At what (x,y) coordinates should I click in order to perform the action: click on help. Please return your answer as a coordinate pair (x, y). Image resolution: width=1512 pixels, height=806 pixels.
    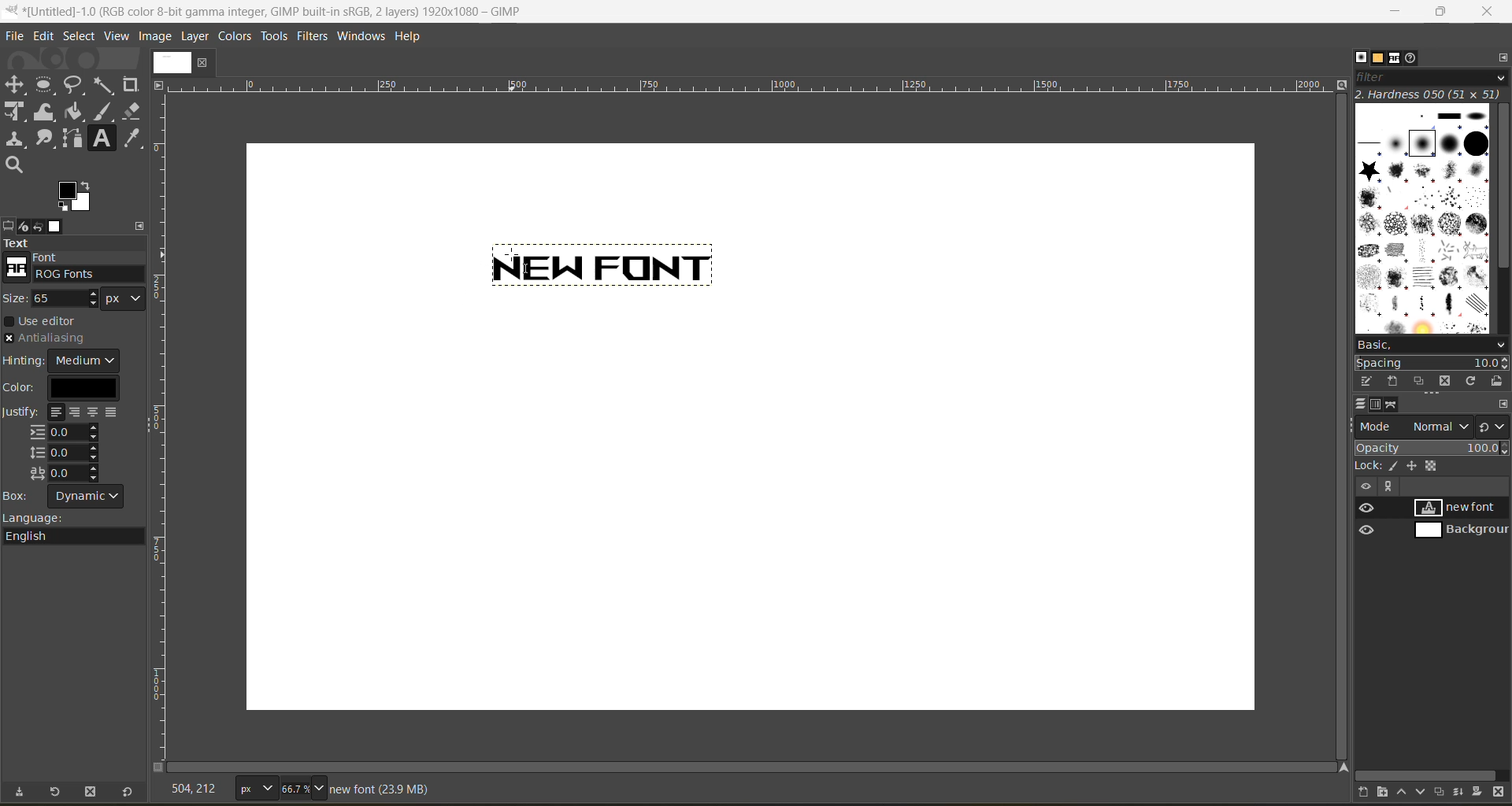
    Looking at the image, I should click on (416, 39).